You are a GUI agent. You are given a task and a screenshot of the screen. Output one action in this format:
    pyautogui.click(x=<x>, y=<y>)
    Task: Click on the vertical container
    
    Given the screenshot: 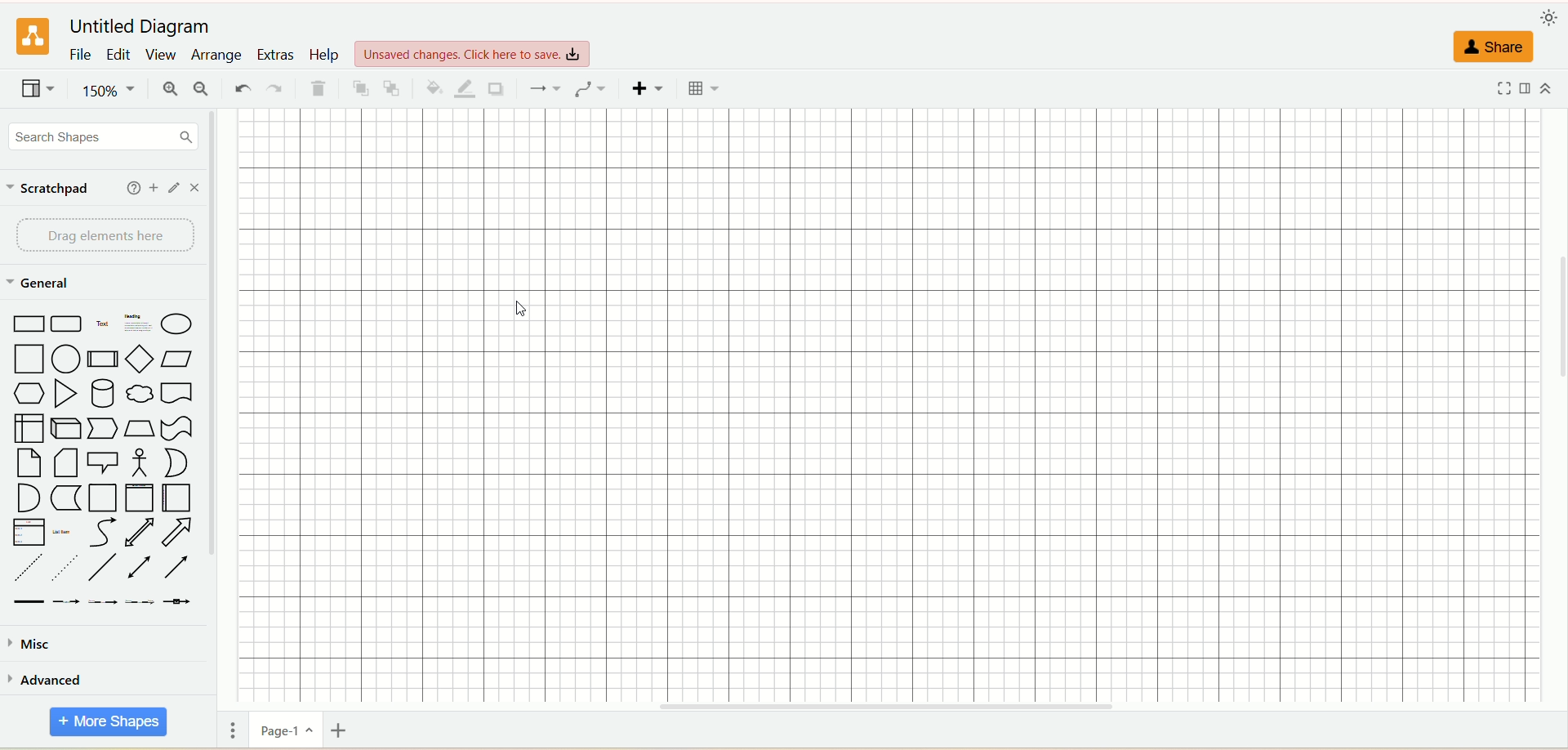 What is the action you would take?
    pyautogui.click(x=140, y=498)
    